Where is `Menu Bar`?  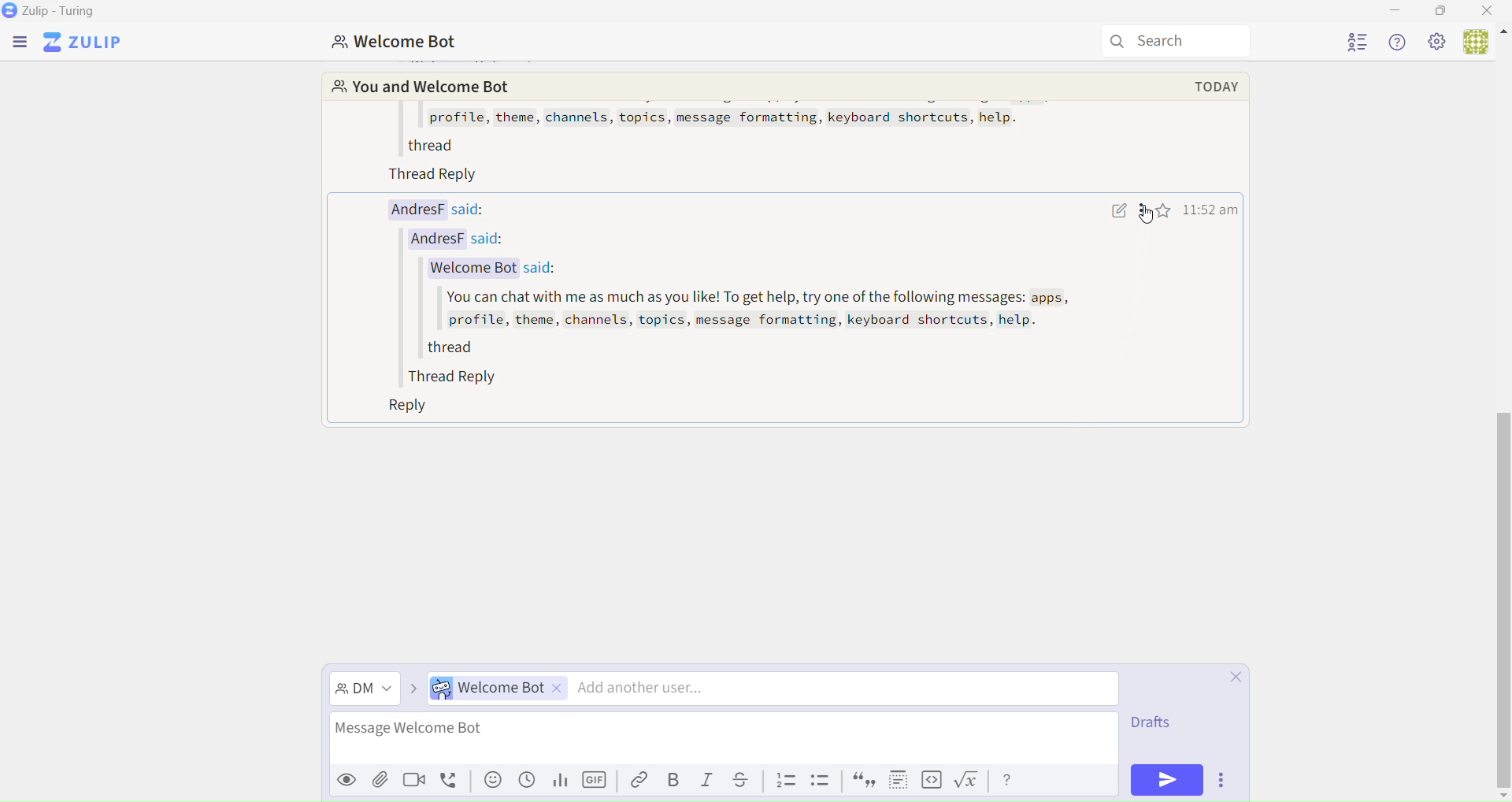 Menu Bar is located at coordinates (20, 45).